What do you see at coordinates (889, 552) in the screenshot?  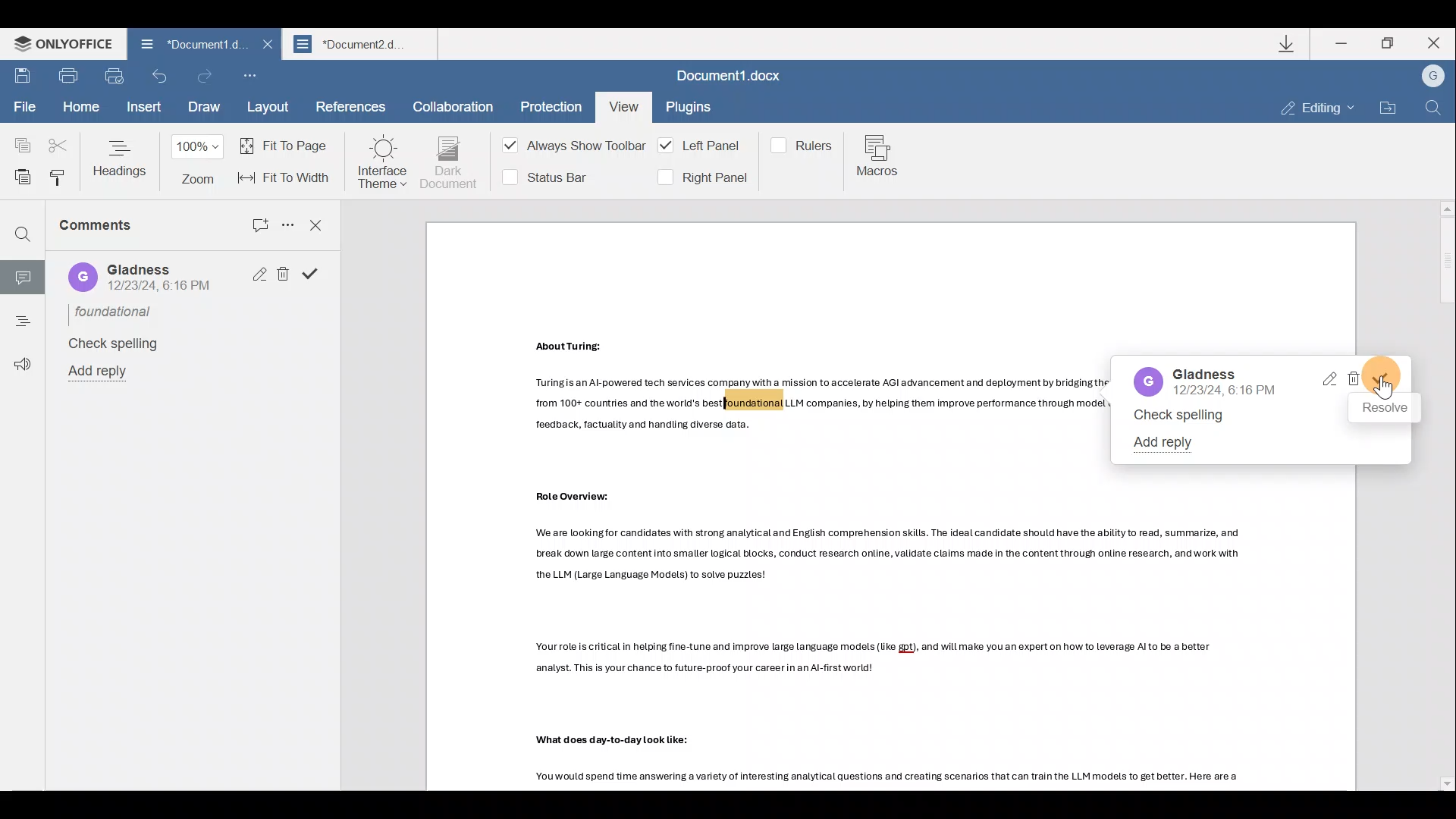 I see `` at bounding box center [889, 552].